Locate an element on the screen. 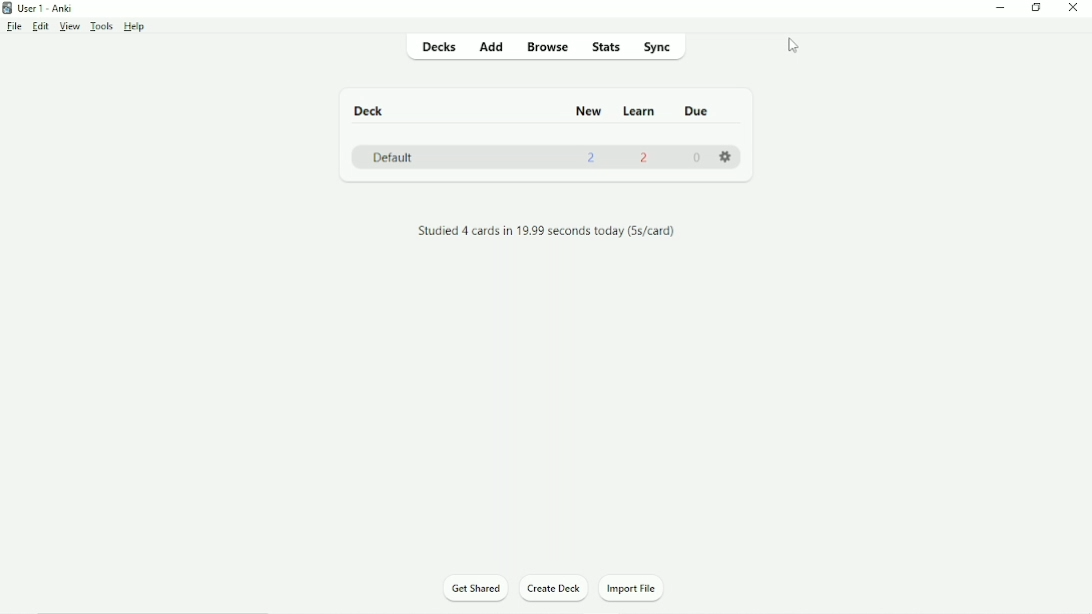  Minimize is located at coordinates (1002, 9).